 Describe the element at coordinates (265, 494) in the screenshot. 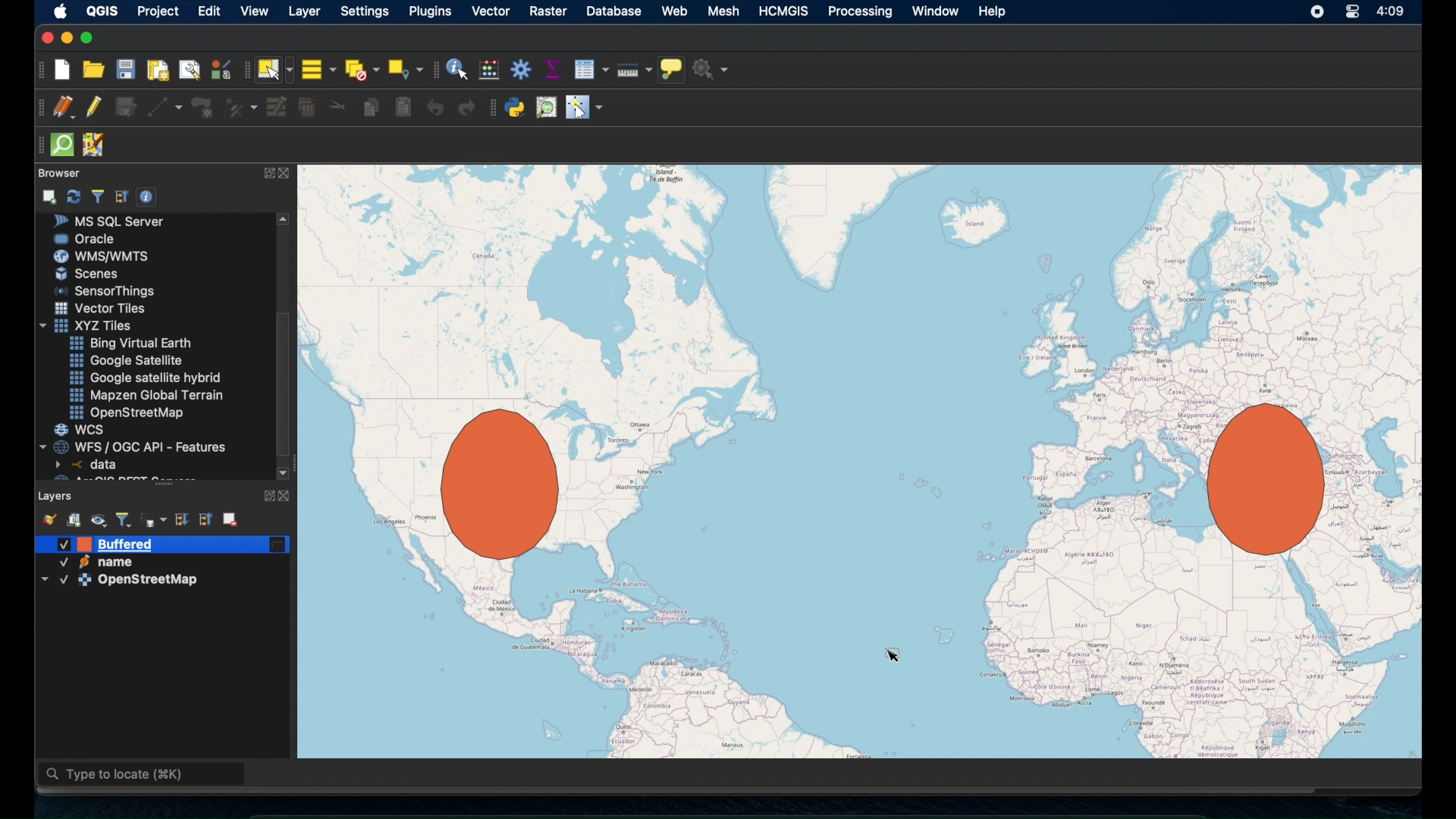

I see `expand` at that location.